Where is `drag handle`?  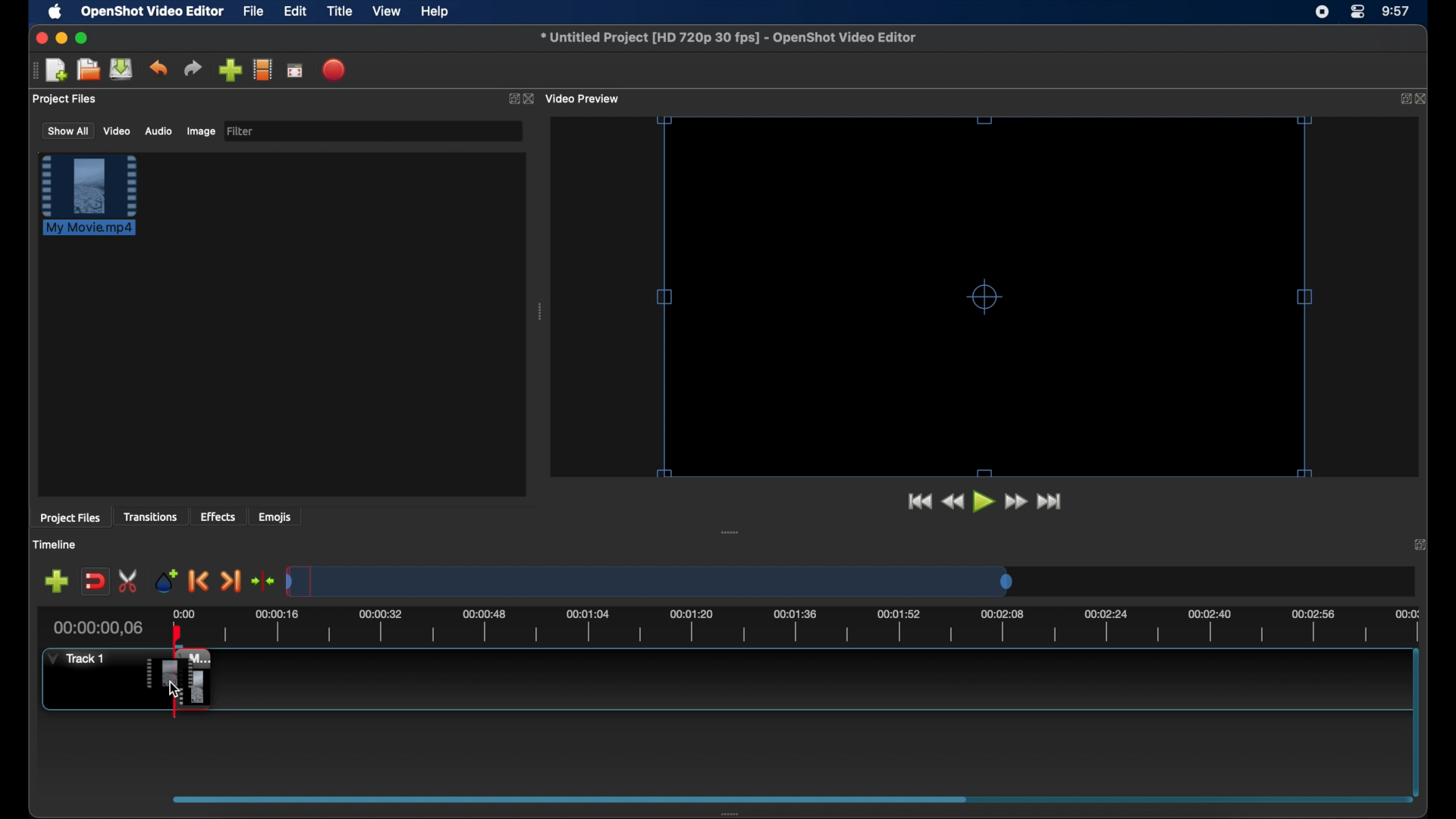 drag handle is located at coordinates (730, 532).